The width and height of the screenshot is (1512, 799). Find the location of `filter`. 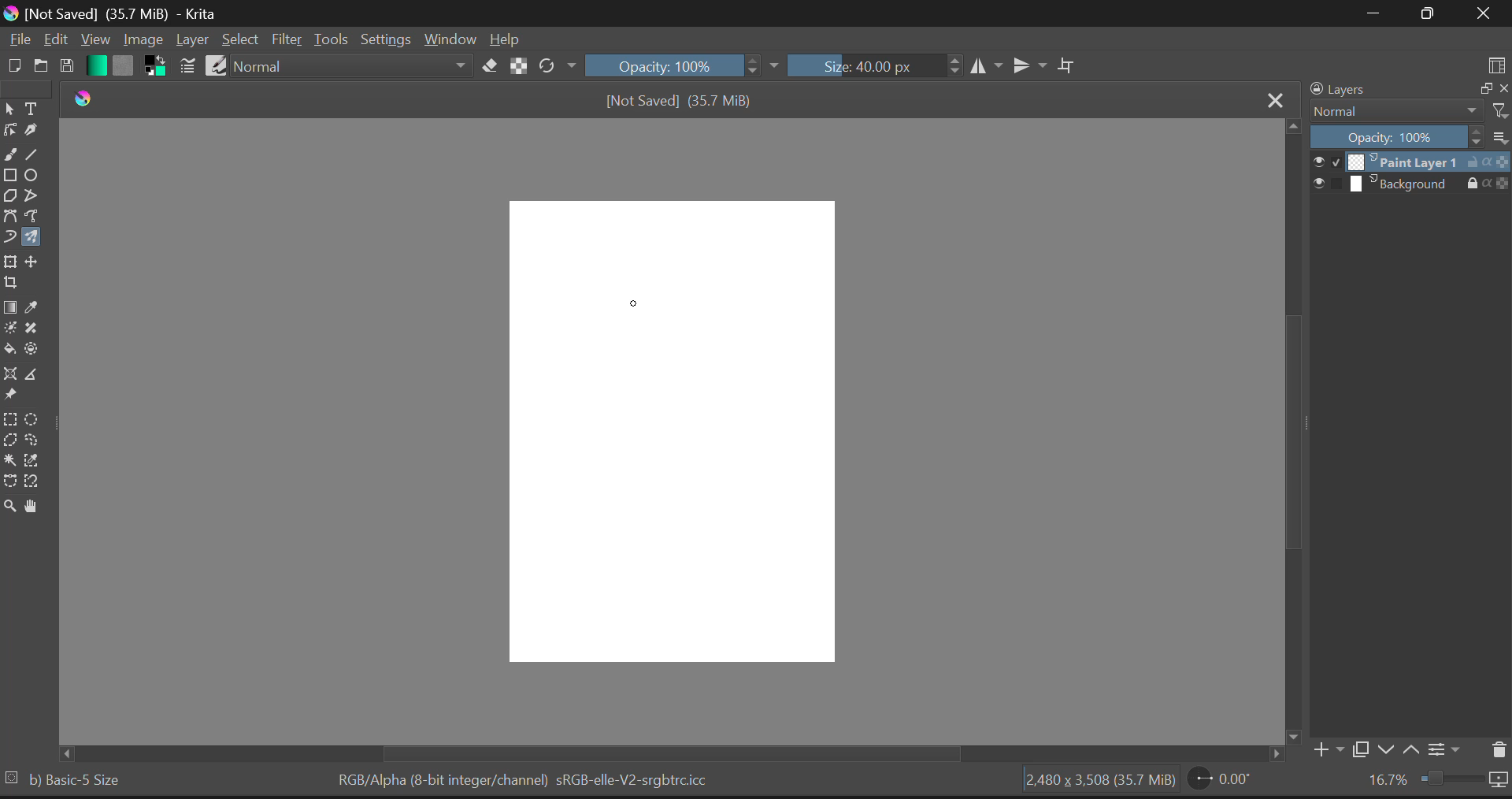

filter is located at coordinates (1499, 109).